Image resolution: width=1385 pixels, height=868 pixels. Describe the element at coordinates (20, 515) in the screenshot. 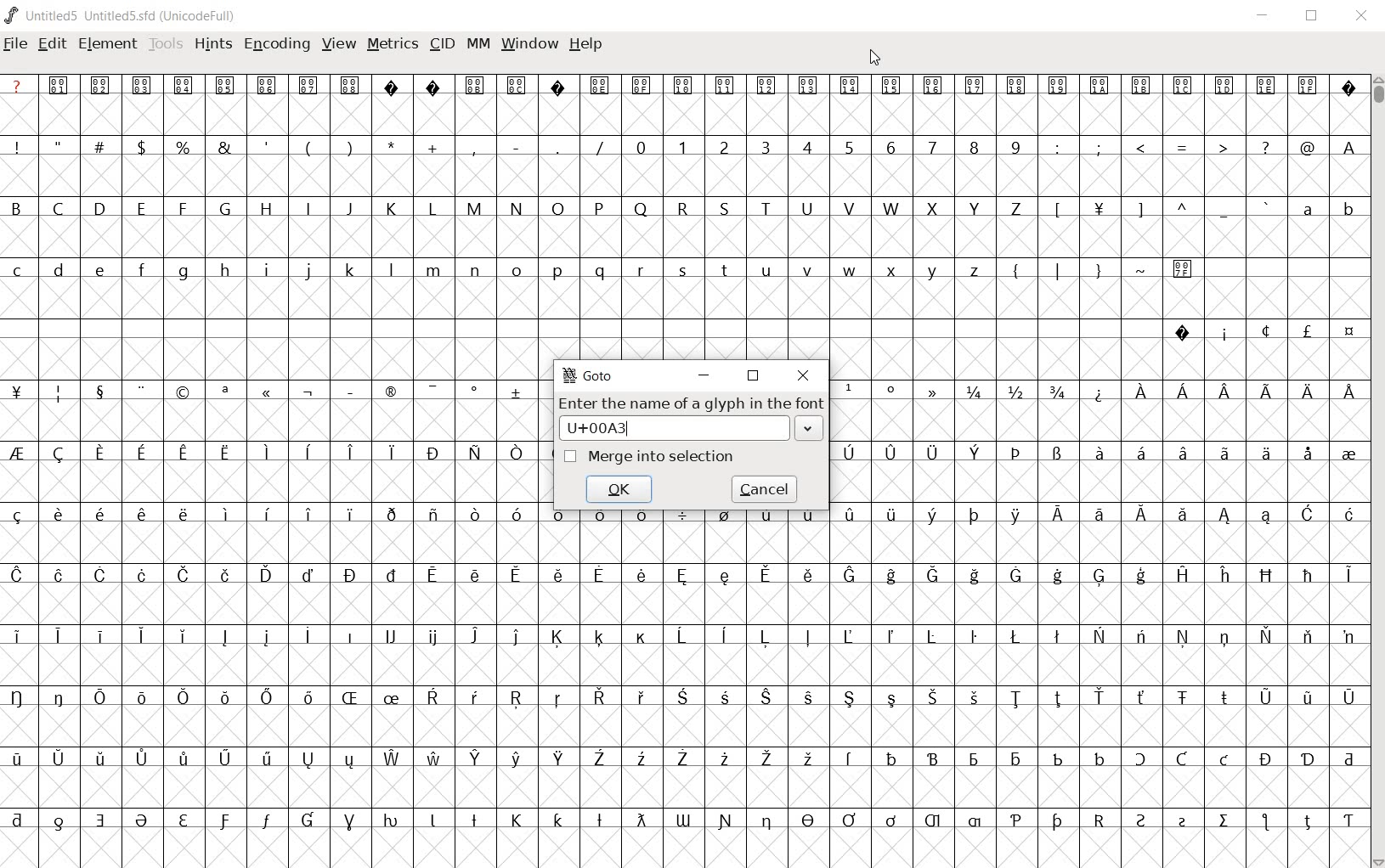

I see `Symbol` at that location.